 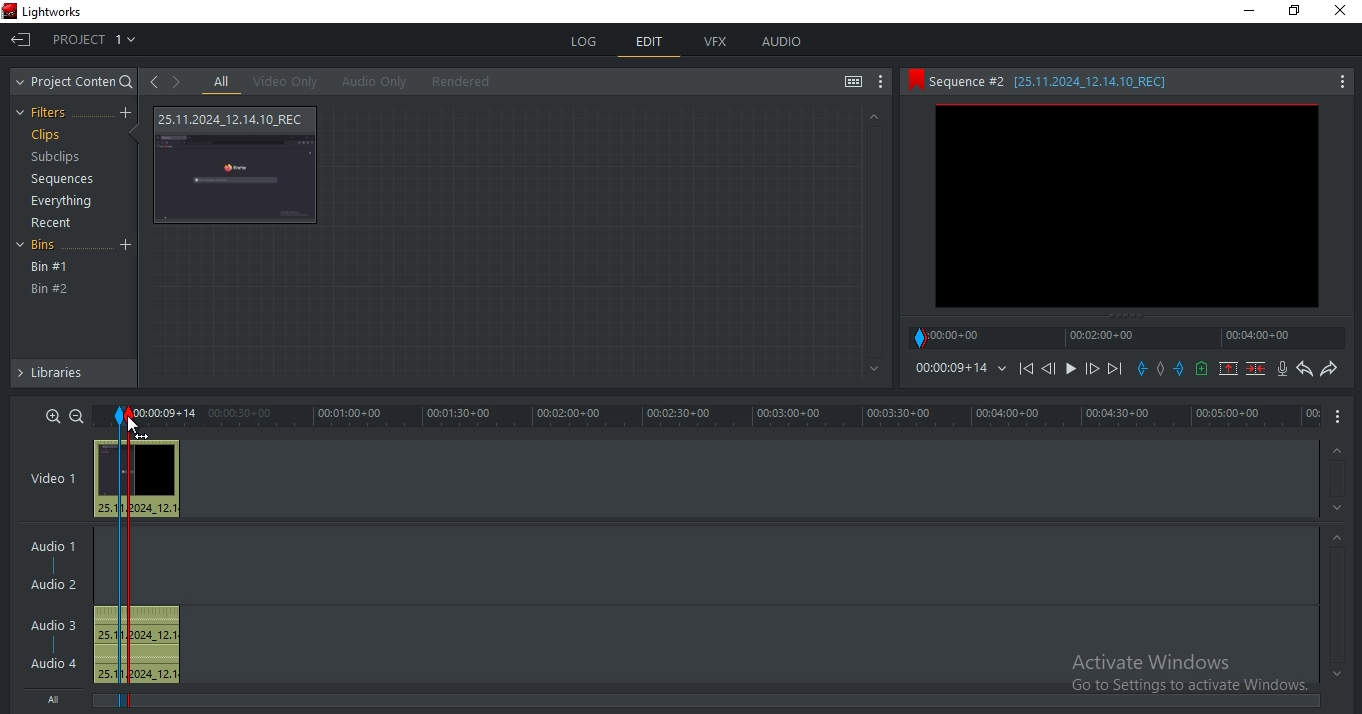 I want to click on add a cue, so click(x=1203, y=369).